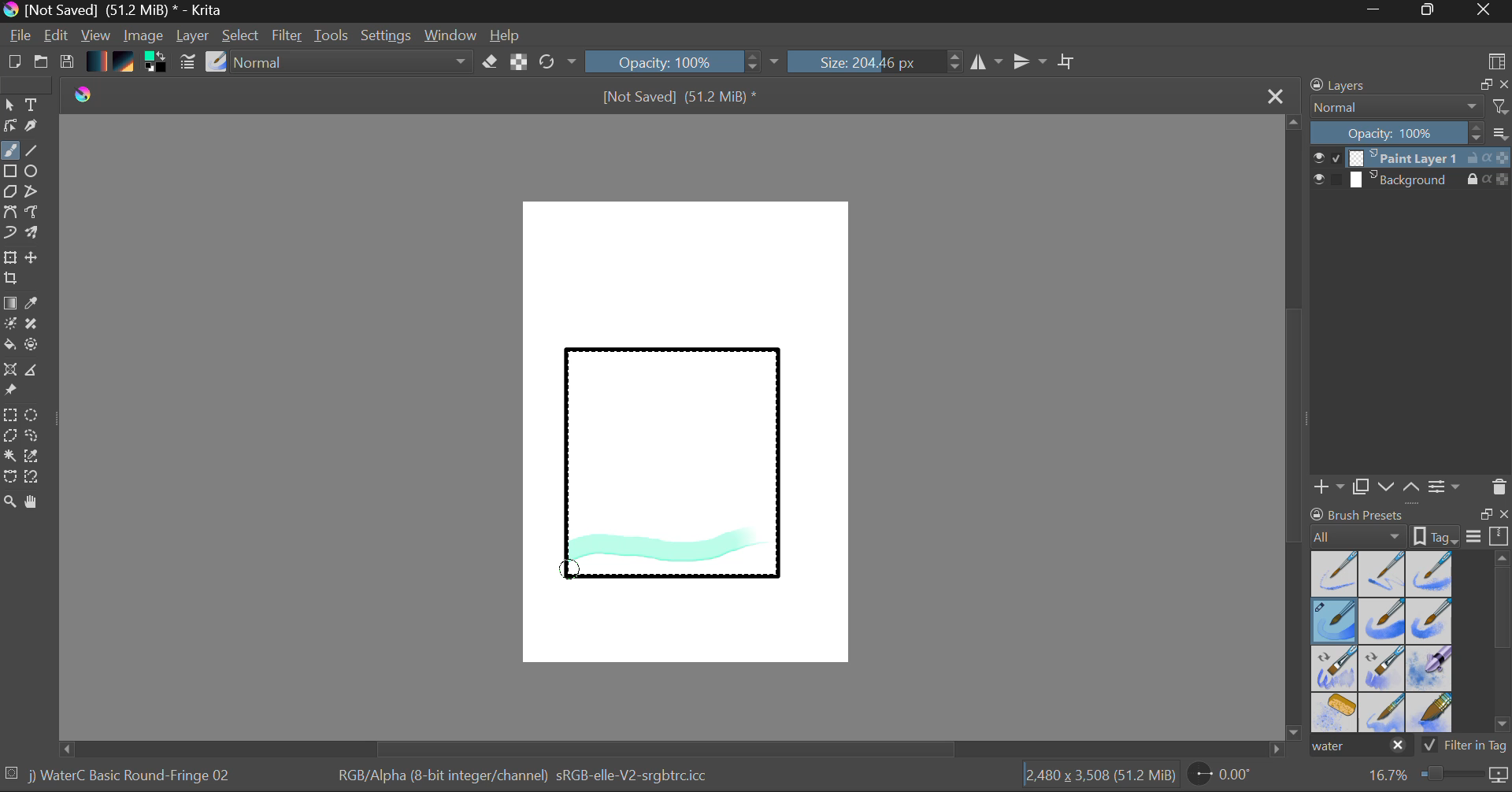  Describe the element at coordinates (37, 129) in the screenshot. I see `Calligraphic Tool` at that location.